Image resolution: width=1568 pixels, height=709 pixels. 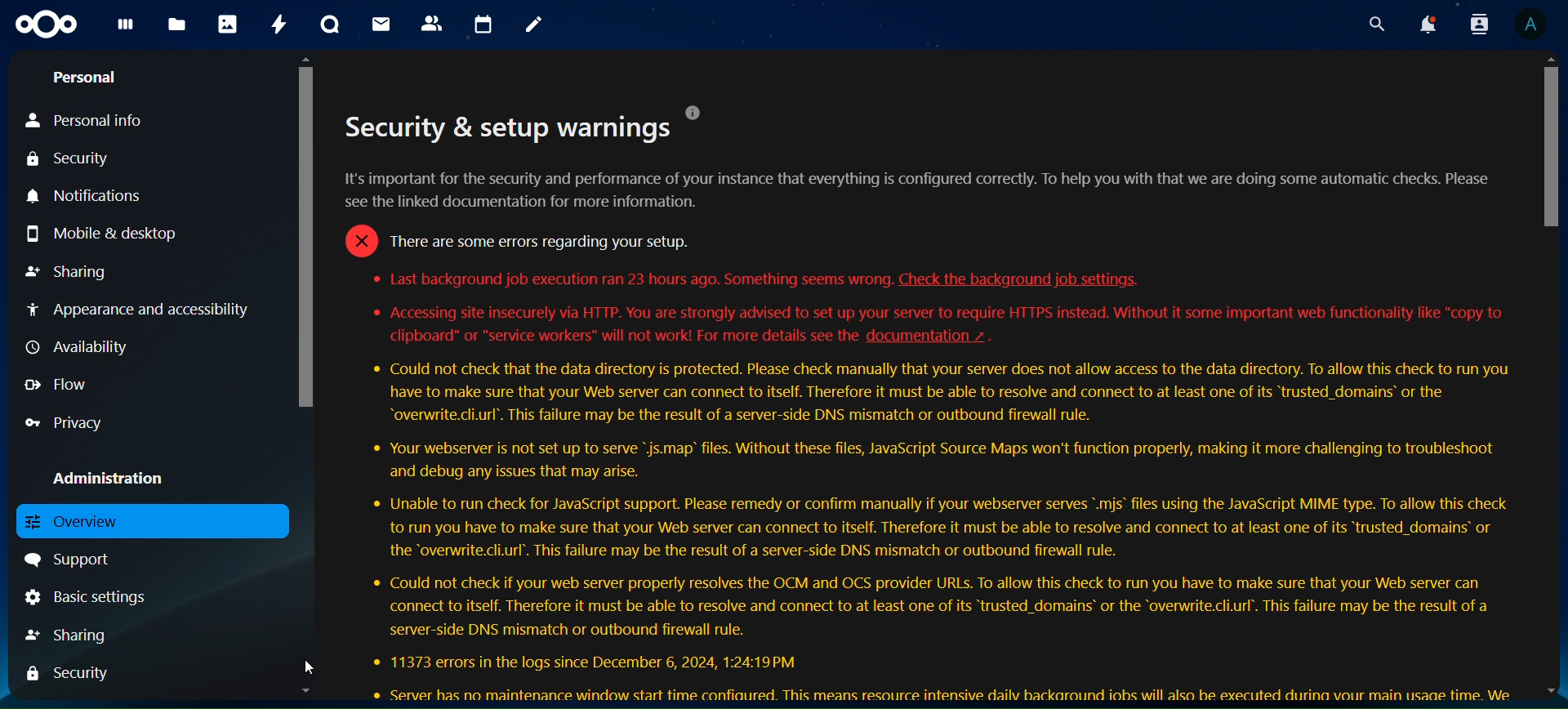 I want to click on mail, so click(x=379, y=25).